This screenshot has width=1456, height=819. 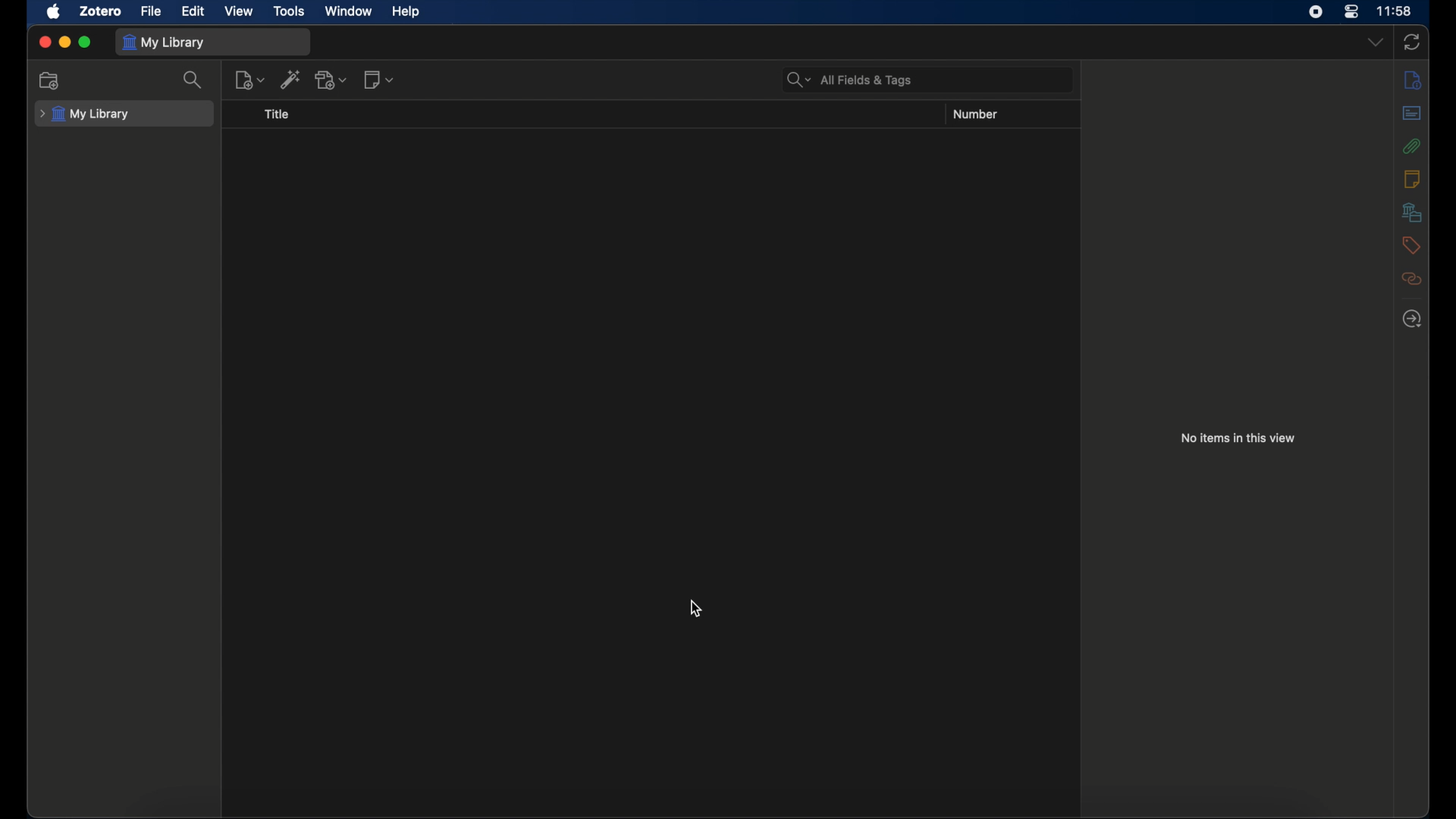 What do you see at coordinates (1412, 43) in the screenshot?
I see `sync` at bounding box center [1412, 43].